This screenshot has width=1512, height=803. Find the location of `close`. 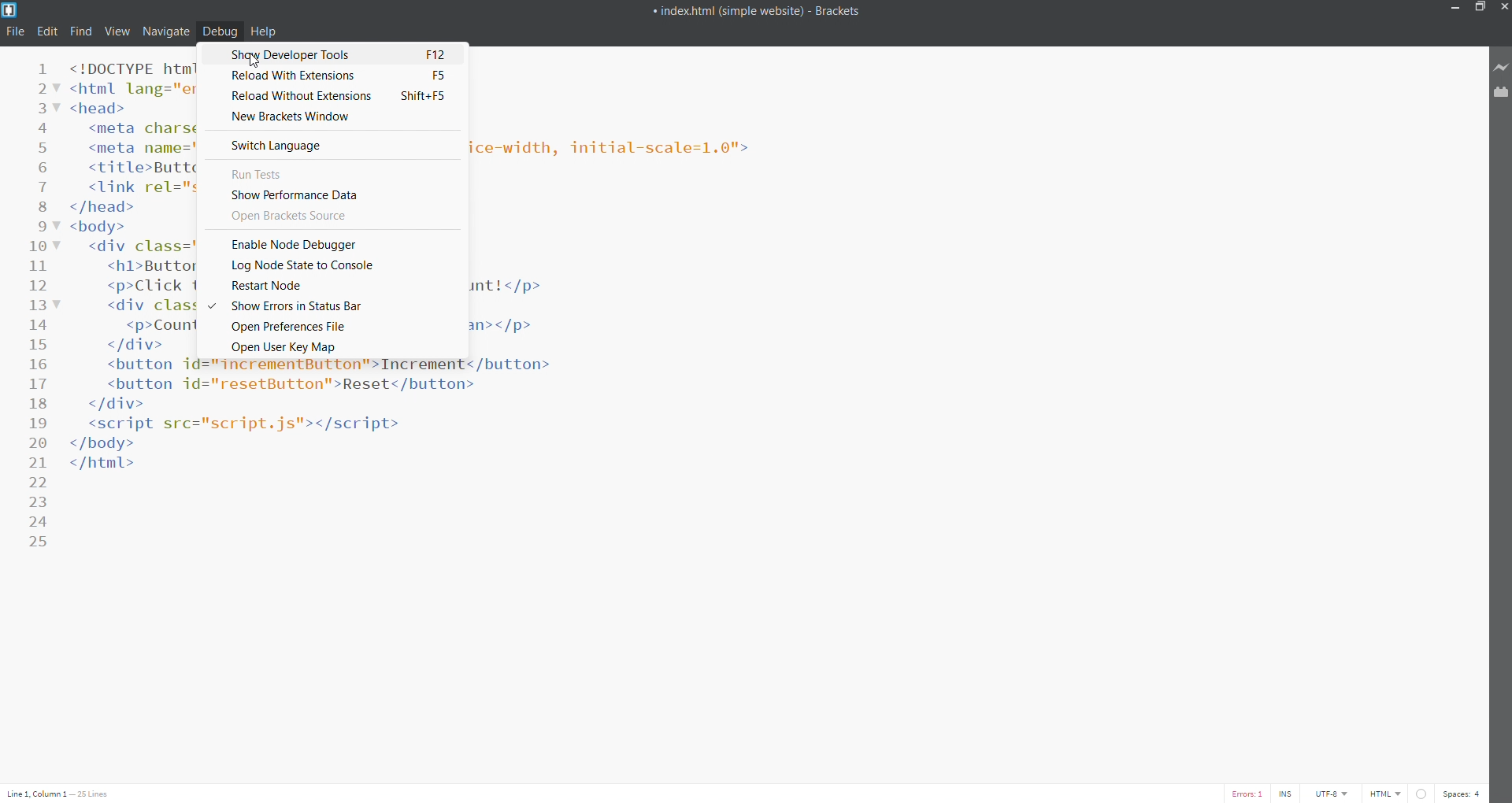

close is located at coordinates (1503, 8).